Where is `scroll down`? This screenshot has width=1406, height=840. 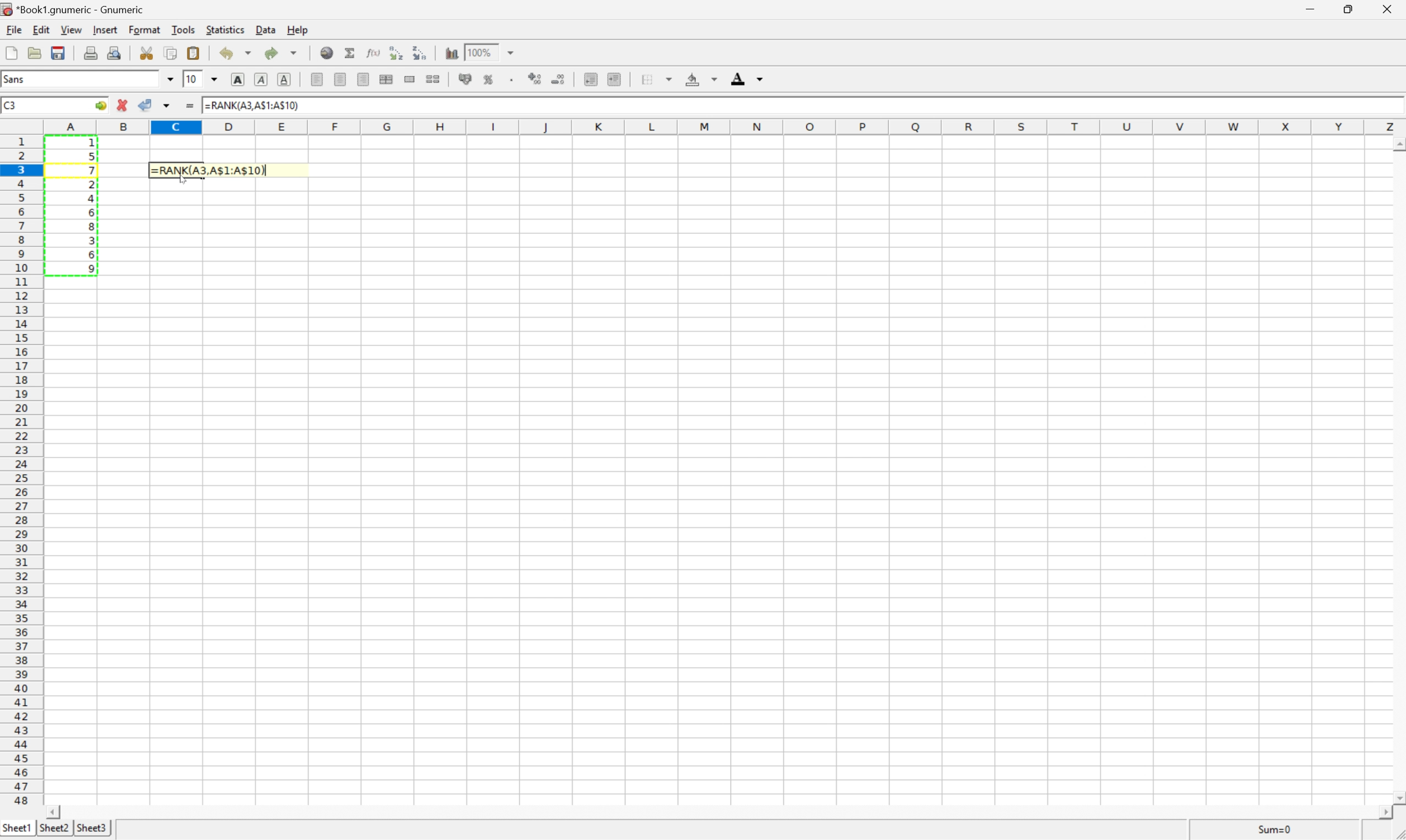
scroll down is located at coordinates (1397, 797).